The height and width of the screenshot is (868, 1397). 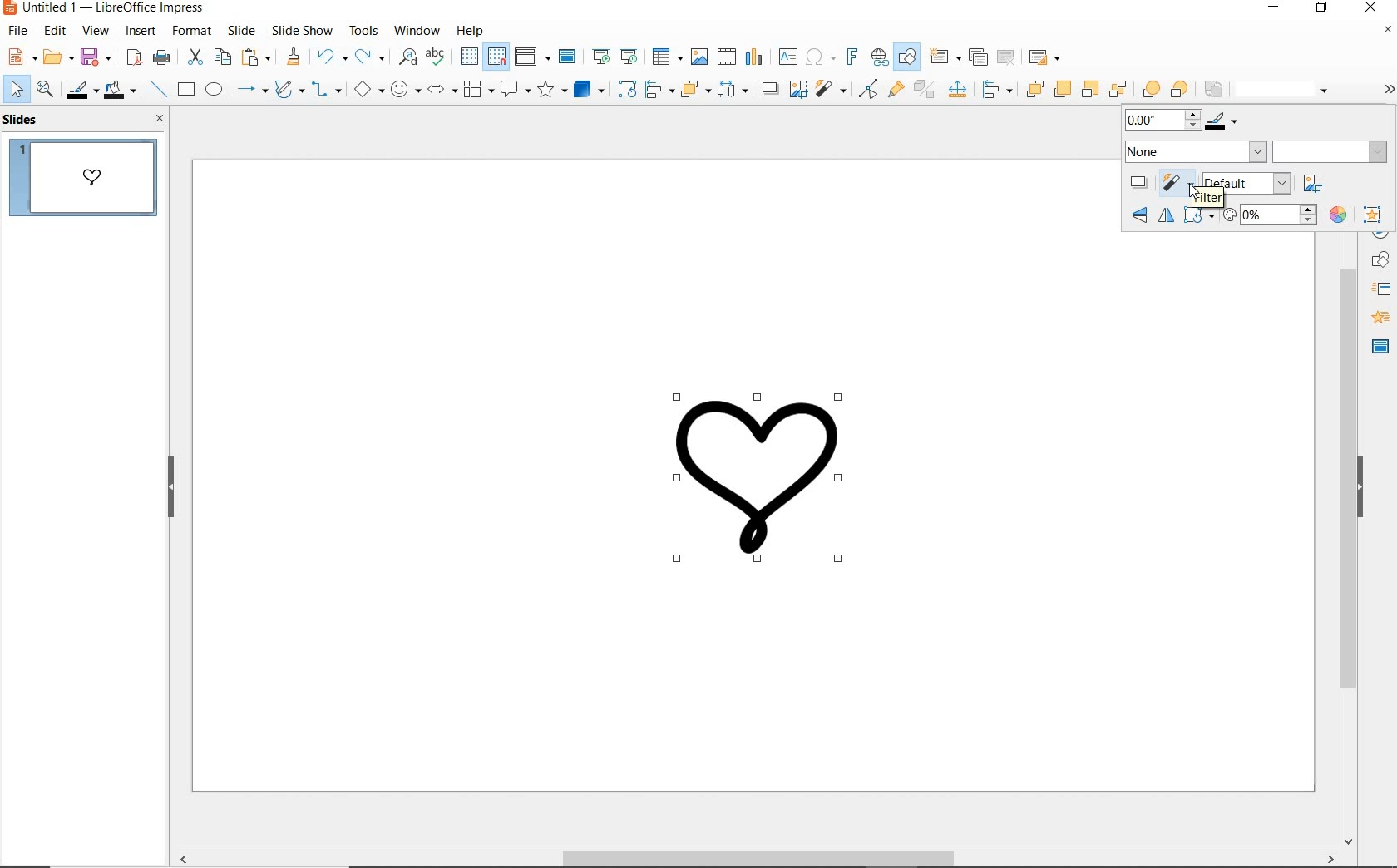 What do you see at coordinates (253, 90) in the screenshot?
I see `lines and arrows` at bounding box center [253, 90].